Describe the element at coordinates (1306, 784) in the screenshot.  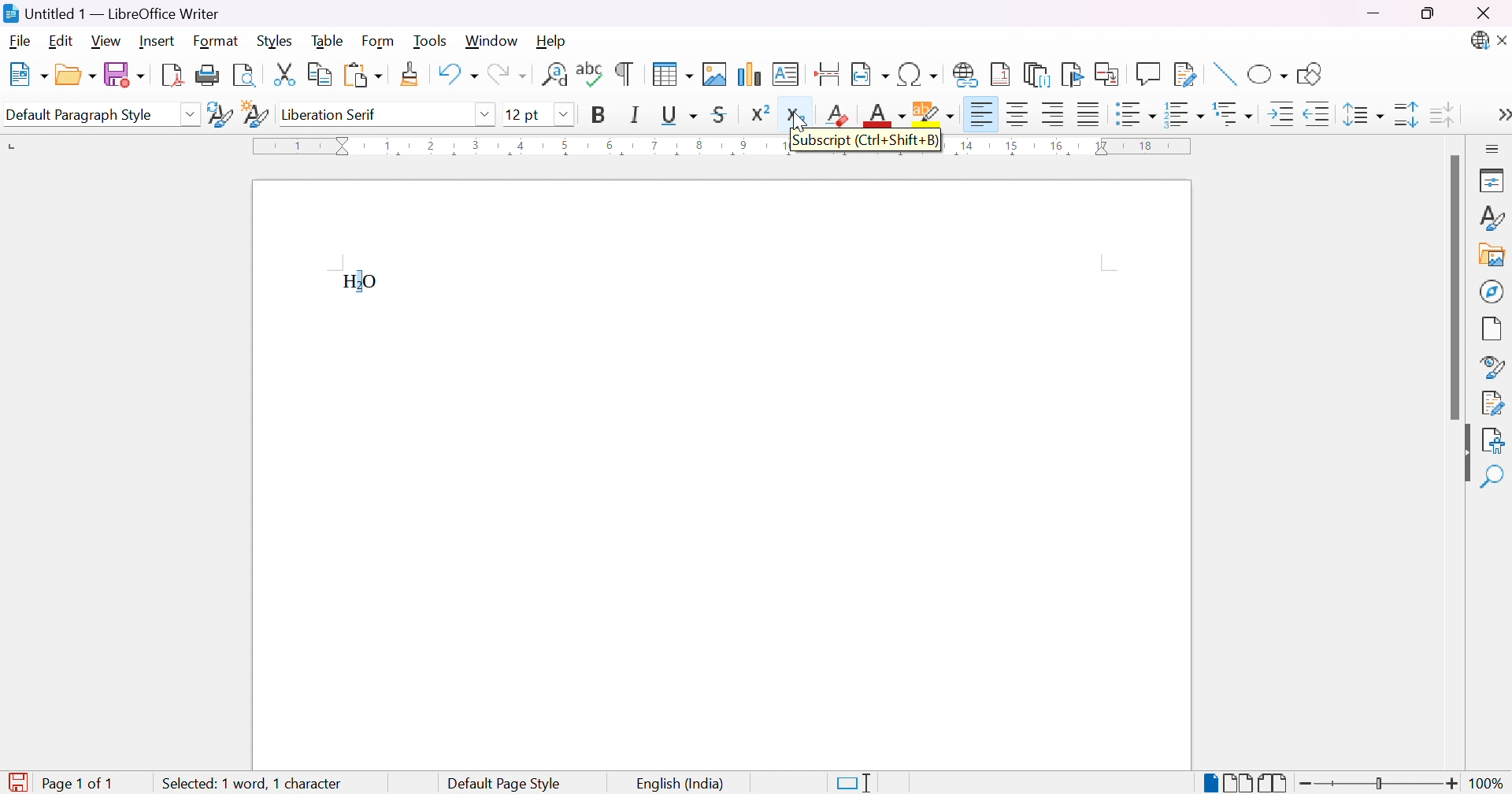
I see `Zoom out` at that location.